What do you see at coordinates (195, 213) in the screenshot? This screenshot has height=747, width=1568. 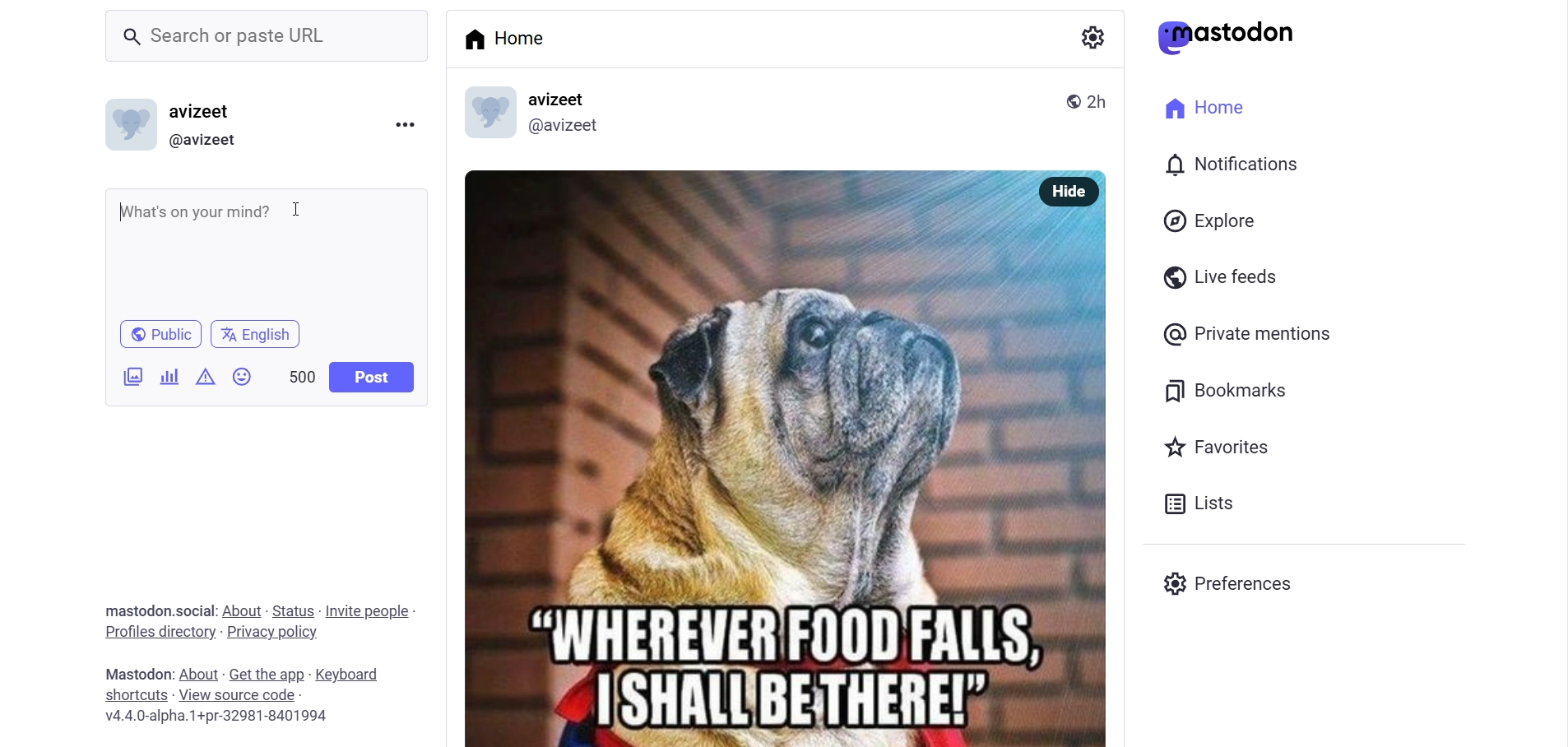 I see `What's on your mind?` at bounding box center [195, 213].